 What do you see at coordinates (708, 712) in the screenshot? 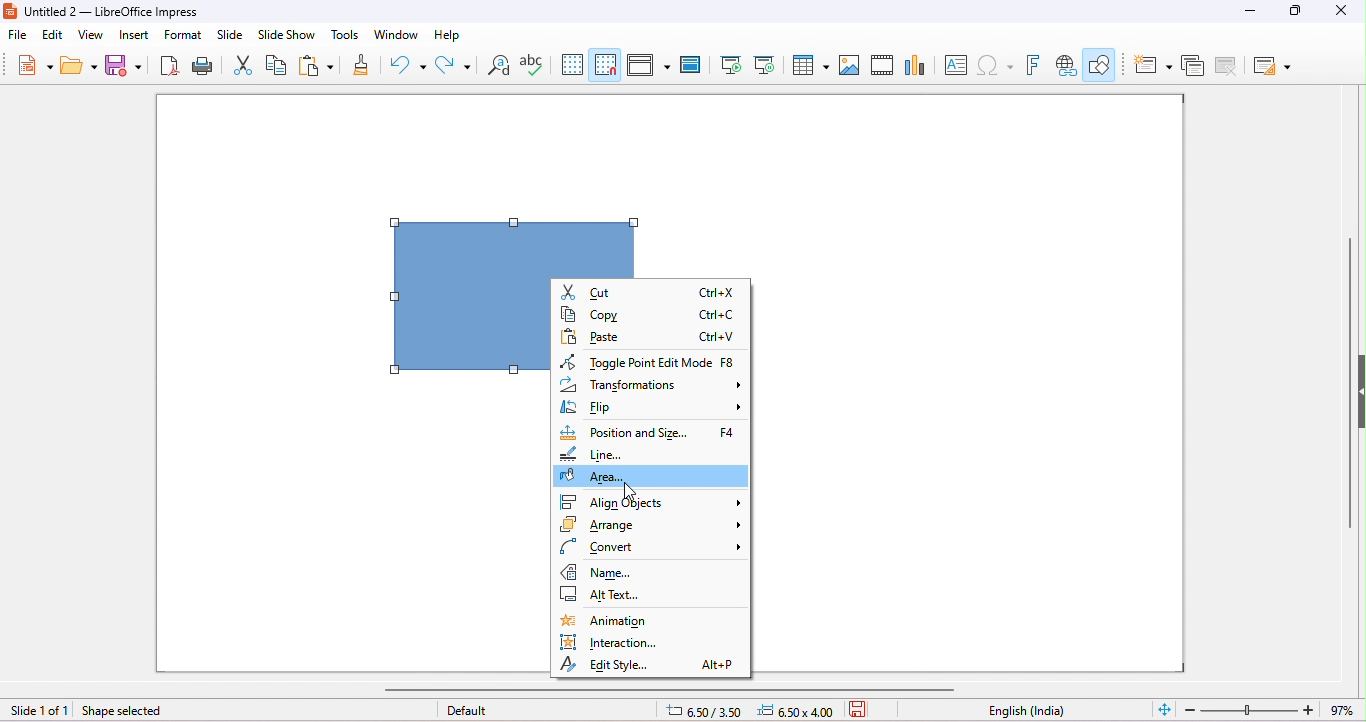
I see `6.50/3.50 (cursor position)` at bounding box center [708, 712].